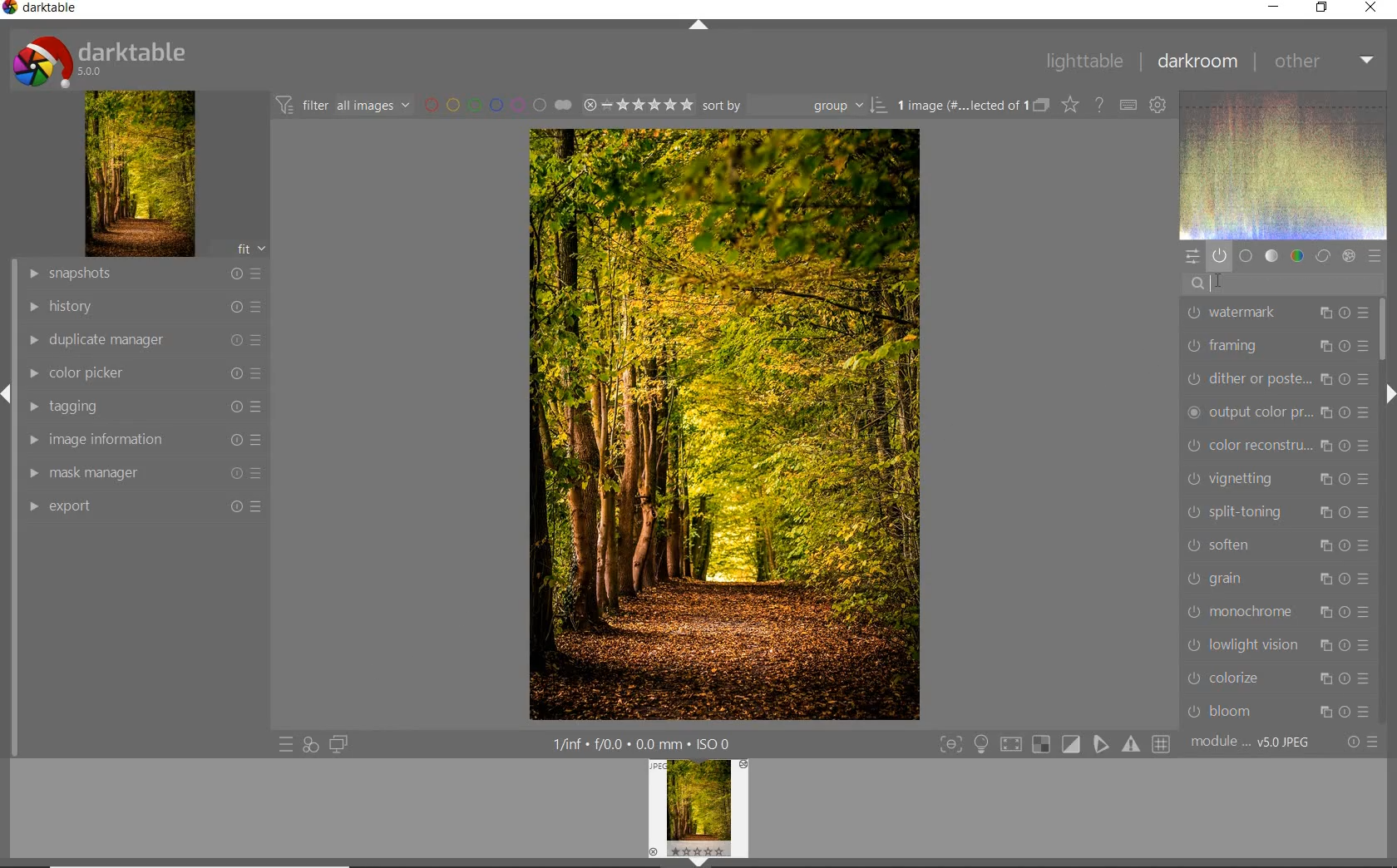 The width and height of the screenshot is (1397, 868). What do you see at coordinates (1275, 6) in the screenshot?
I see `minimize` at bounding box center [1275, 6].